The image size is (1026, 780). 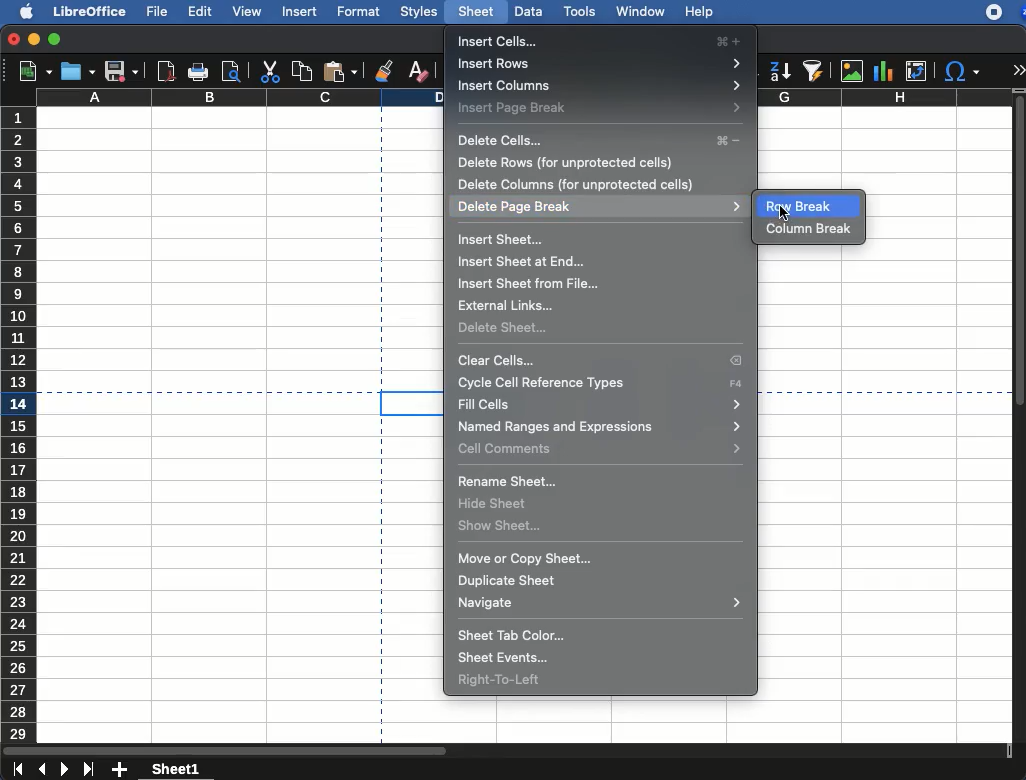 I want to click on insert cells, so click(x=601, y=41).